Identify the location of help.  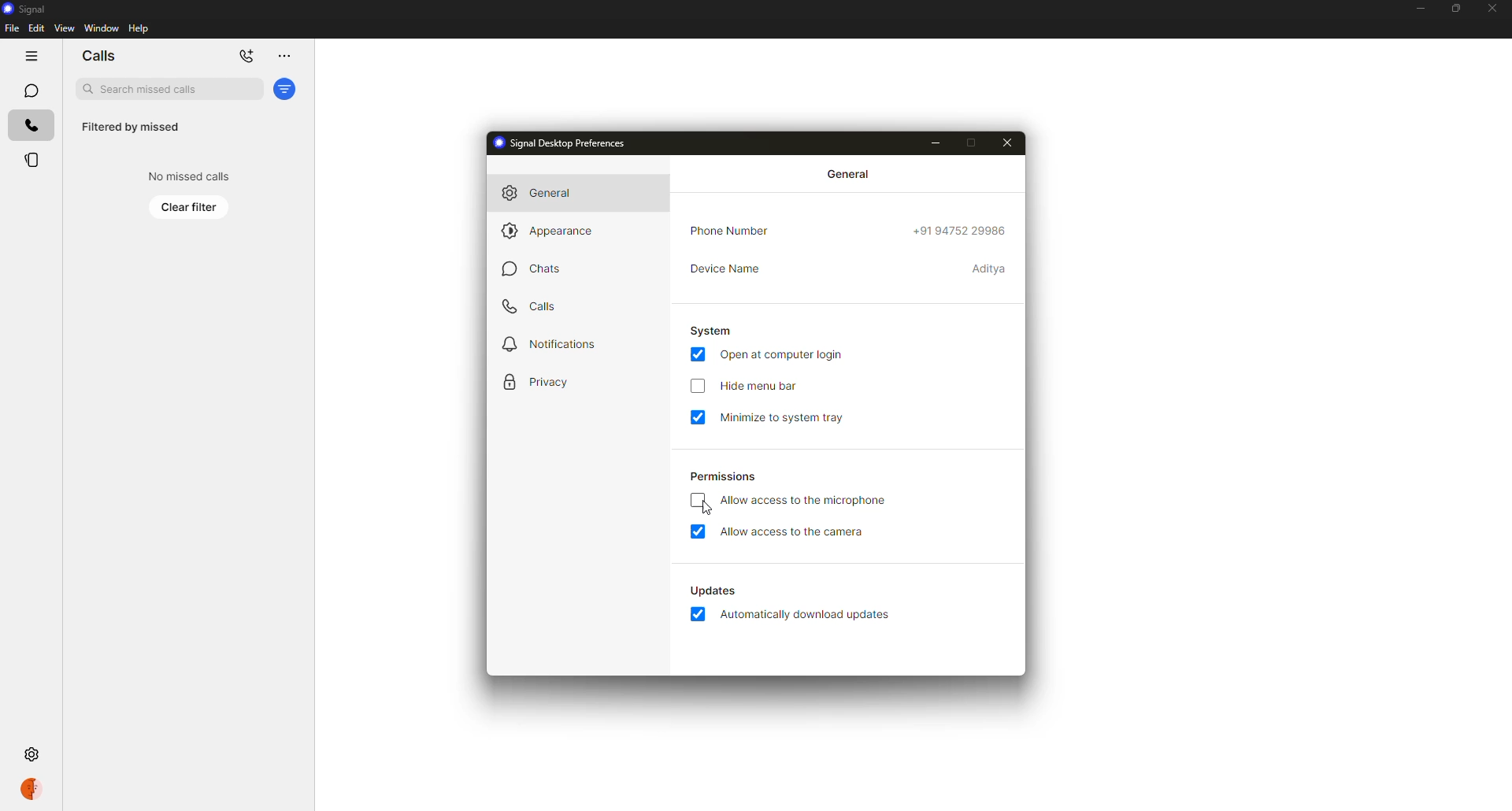
(139, 28).